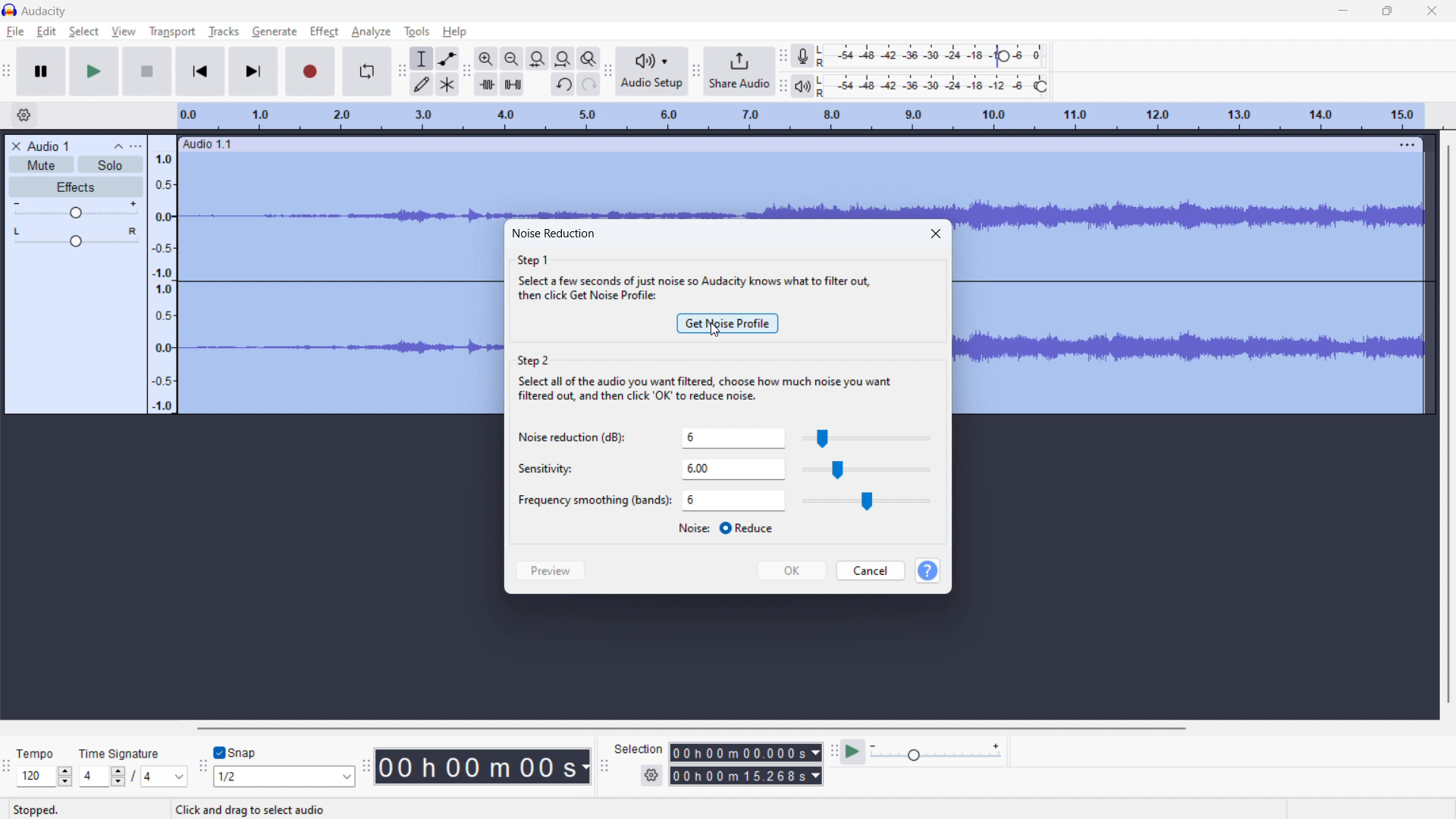  What do you see at coordinates (77, 237) in the screenshot?
I see `pan: center` at bounding box center [77, 237].